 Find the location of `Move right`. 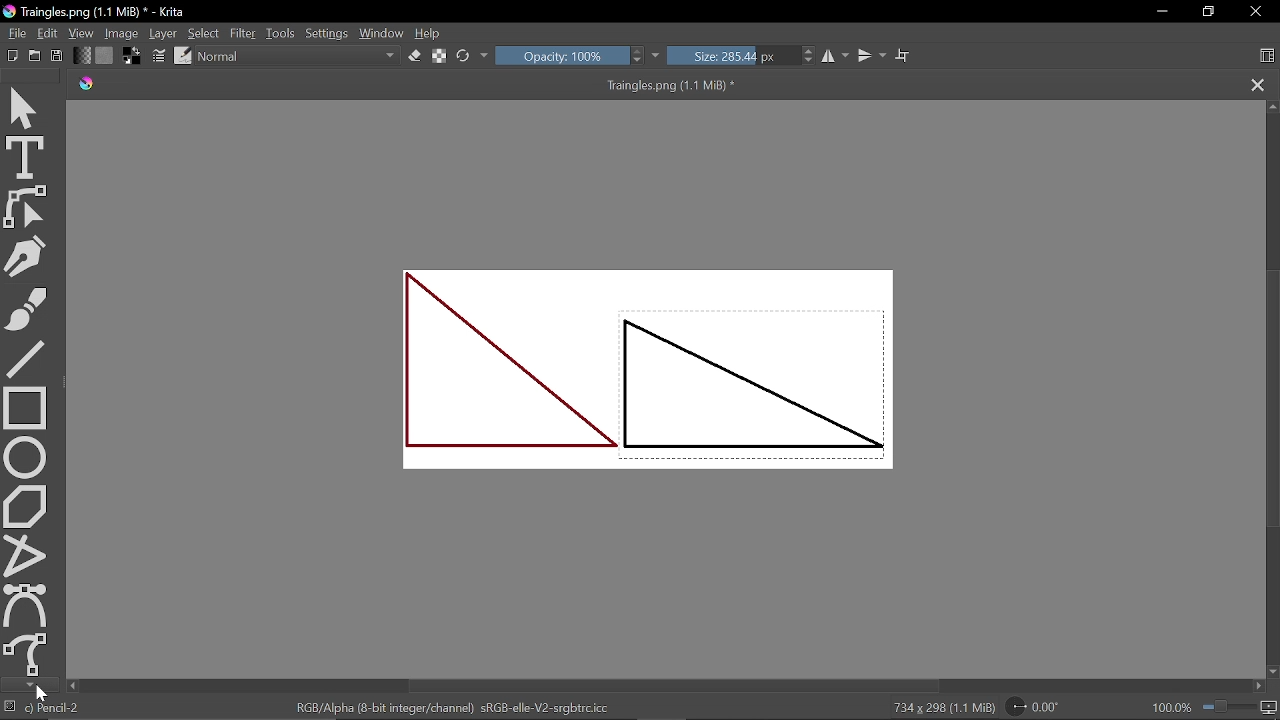

Move right is located at coordinates (1258, 687).